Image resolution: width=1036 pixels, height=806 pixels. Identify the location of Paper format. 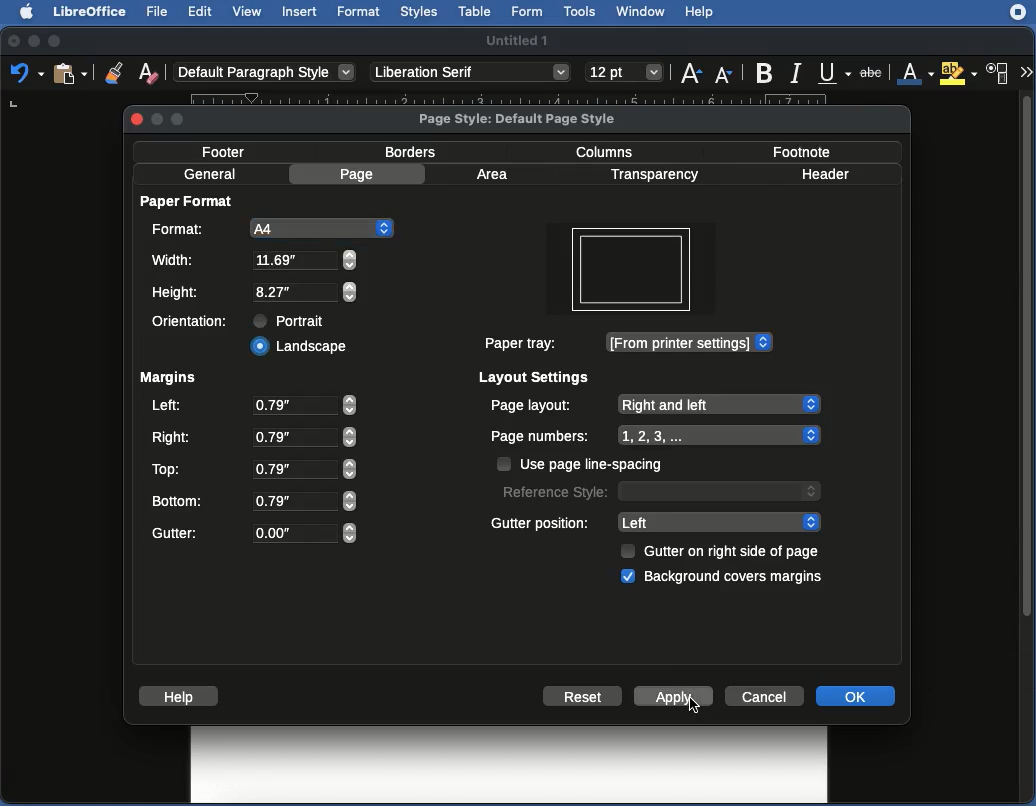
(191, 205).